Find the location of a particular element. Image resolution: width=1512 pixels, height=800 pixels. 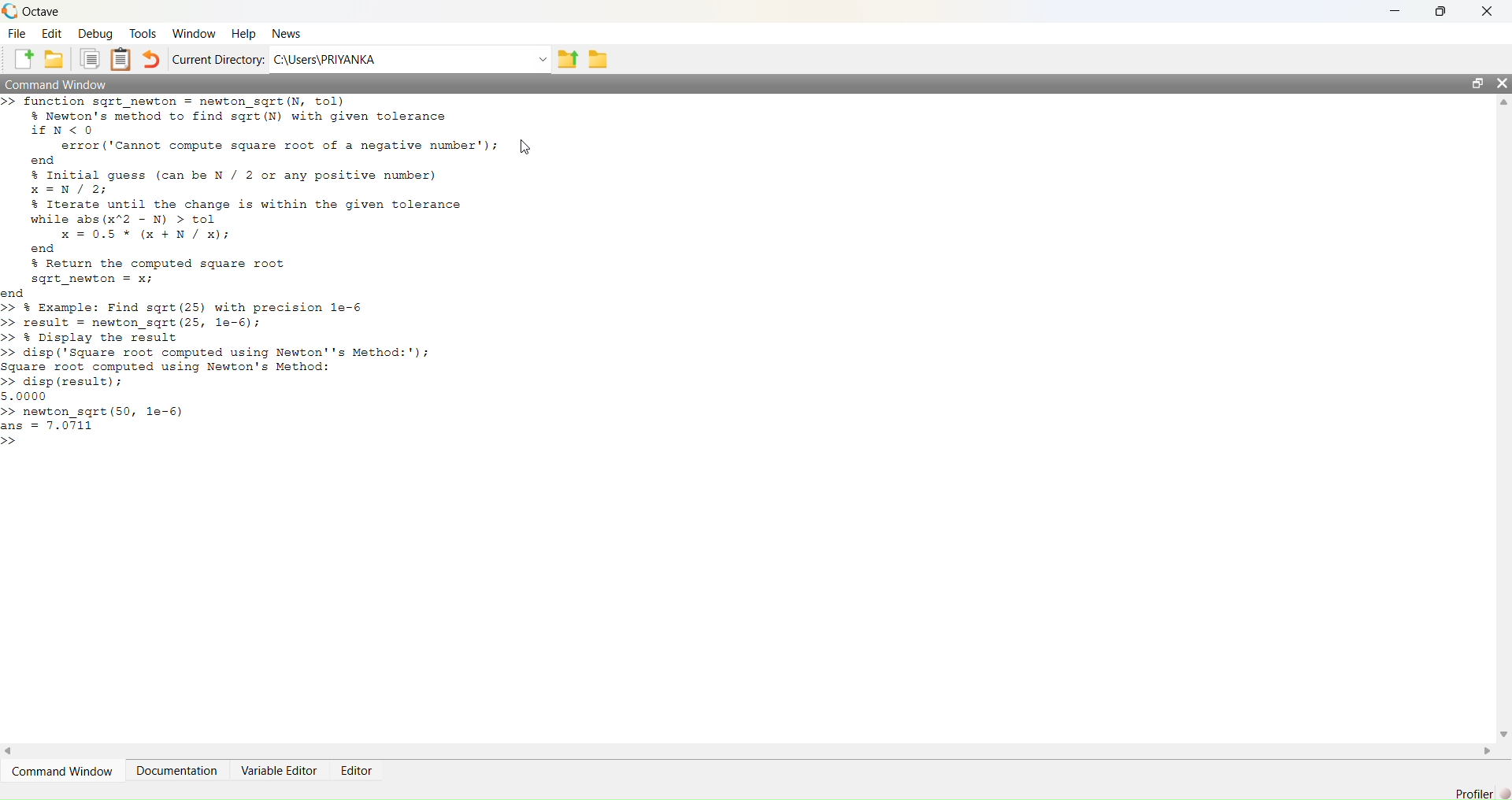

Open an existing file in editor is located at coordinates (57, 59).